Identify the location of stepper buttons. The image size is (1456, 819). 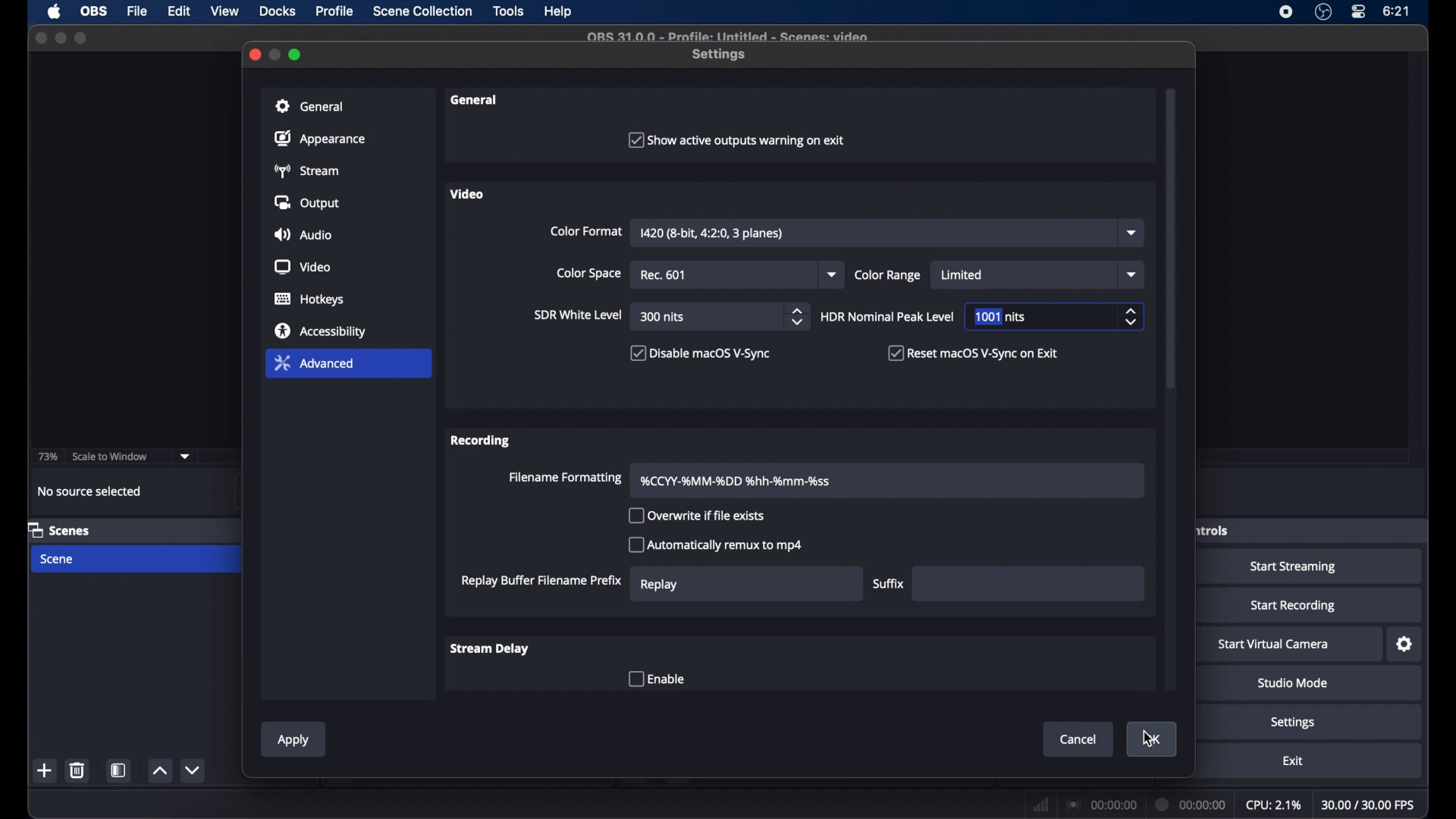
(799, 317).